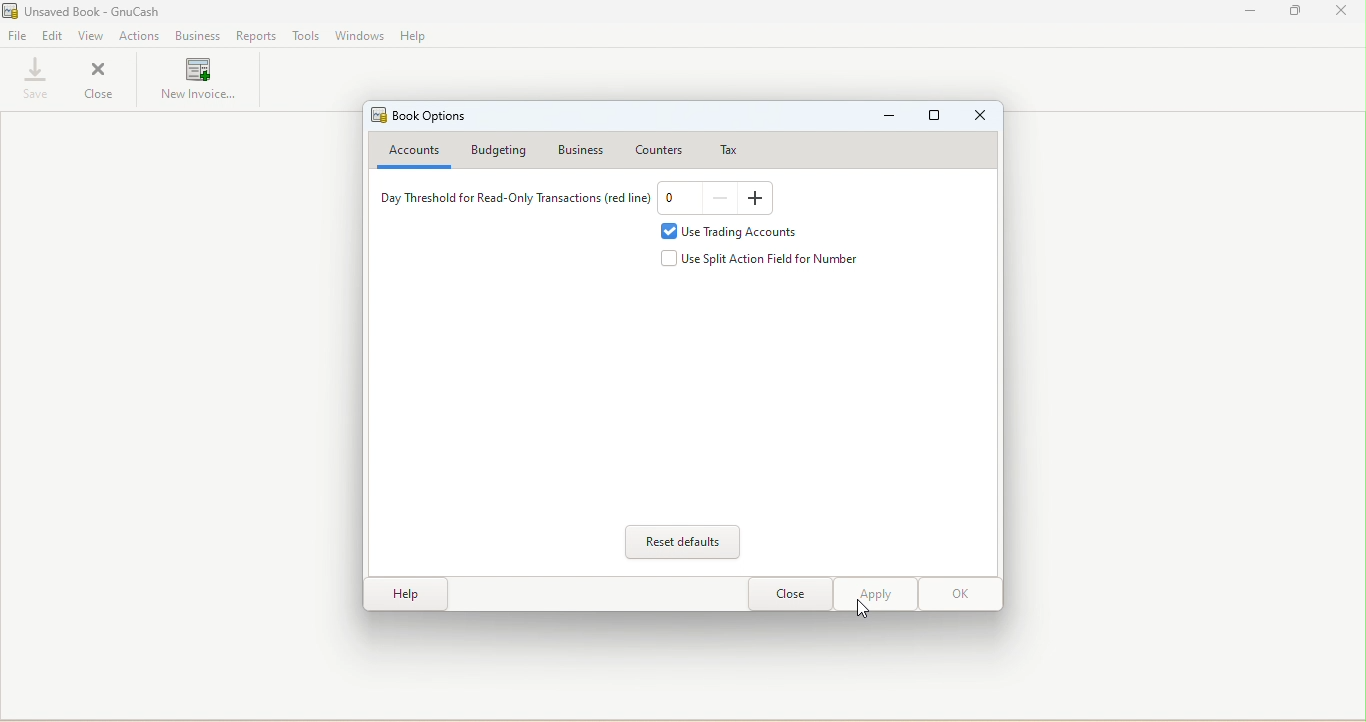 This screenshot has height=722, width=1366. Describe the element at coordinates (767, 259) in the screenshot. I see `Use split action field for number` at that location.